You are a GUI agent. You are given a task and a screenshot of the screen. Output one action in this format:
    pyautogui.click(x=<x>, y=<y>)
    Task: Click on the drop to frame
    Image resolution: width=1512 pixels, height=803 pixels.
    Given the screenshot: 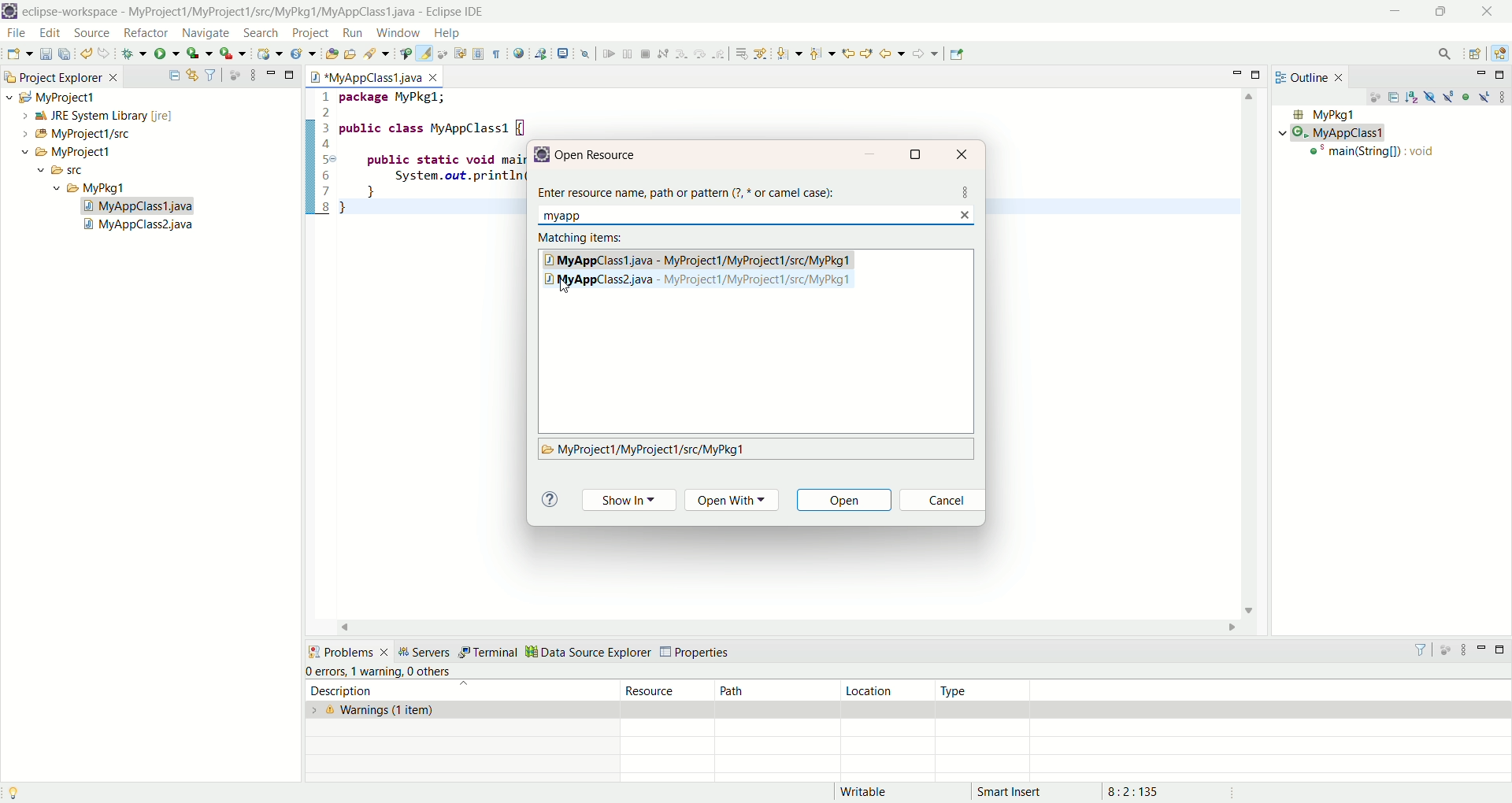 What is the action you would take?
    pyautogui.click(x=740, y=54)
    